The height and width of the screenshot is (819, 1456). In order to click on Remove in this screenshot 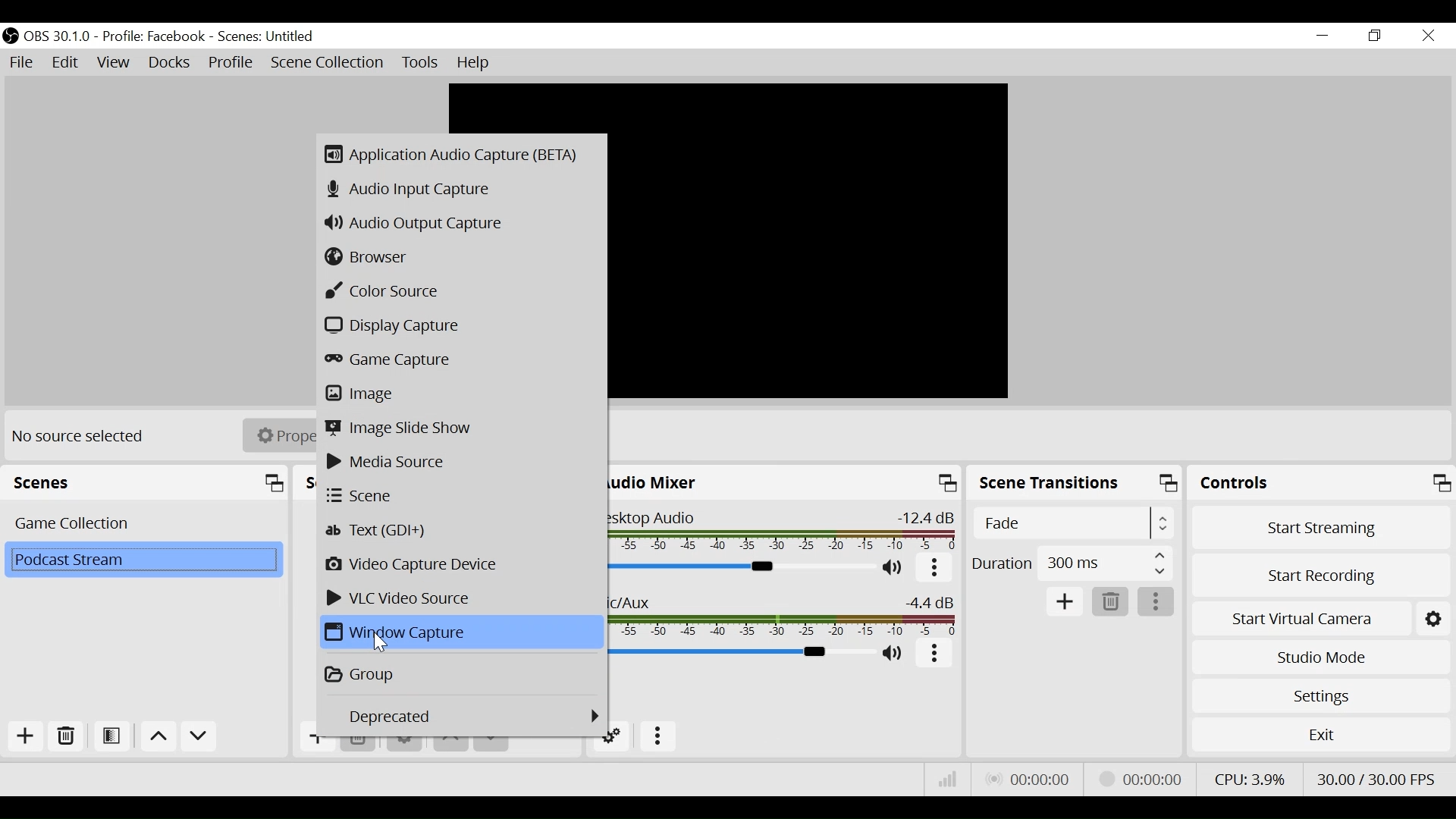, I will do `click(1109, 601)`.